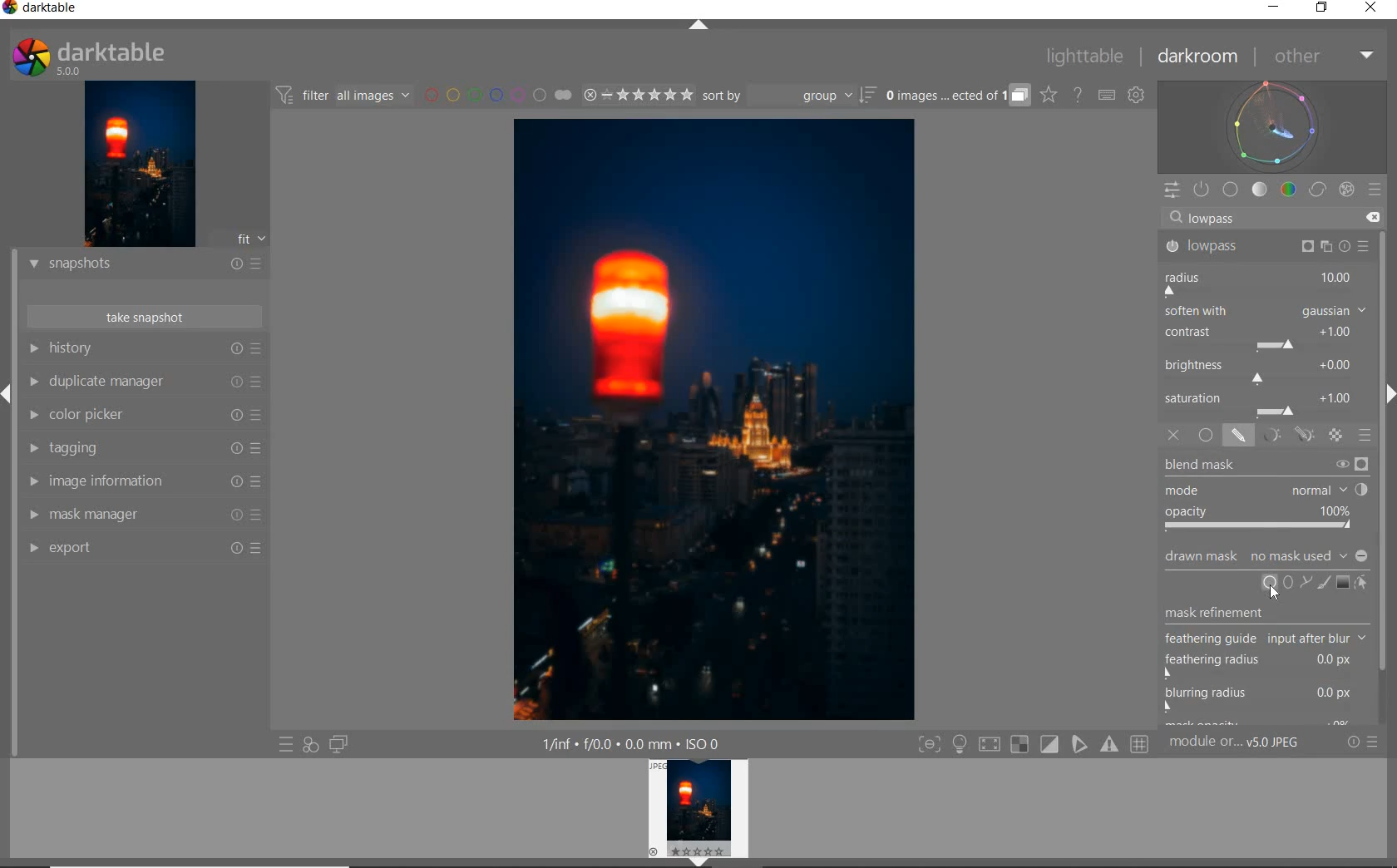 Image resolution: width=1397 pixels, height=868 pixels. Describe the element at coordinates (1263, 339) in the screenshot. I see `CONTRAST` at that location.